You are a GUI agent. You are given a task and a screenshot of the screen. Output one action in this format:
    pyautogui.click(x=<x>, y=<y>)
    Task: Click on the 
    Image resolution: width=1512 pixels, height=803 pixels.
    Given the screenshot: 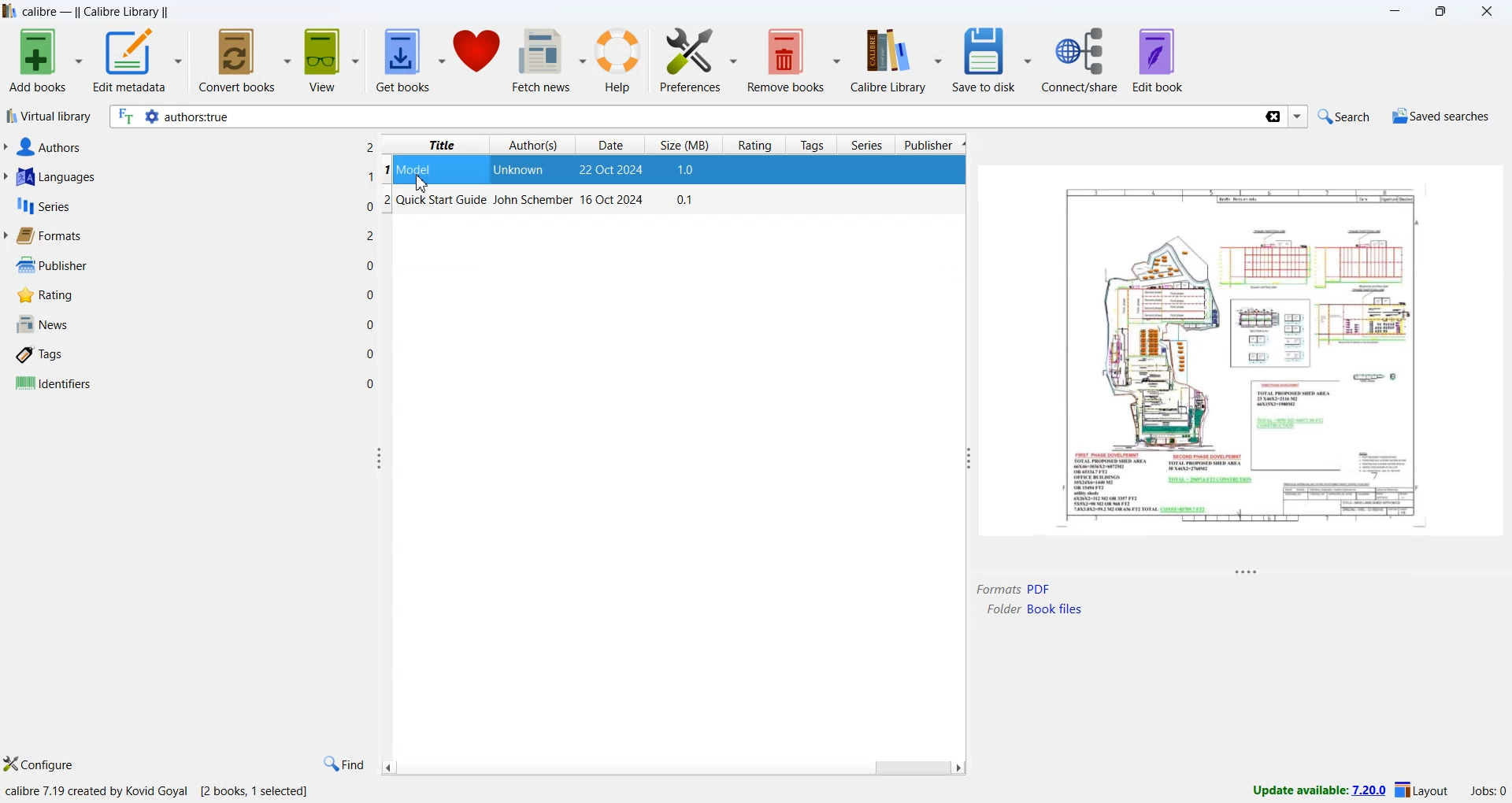 What is the action you would take?
    pyautogui.click(x=370, y=146)
    